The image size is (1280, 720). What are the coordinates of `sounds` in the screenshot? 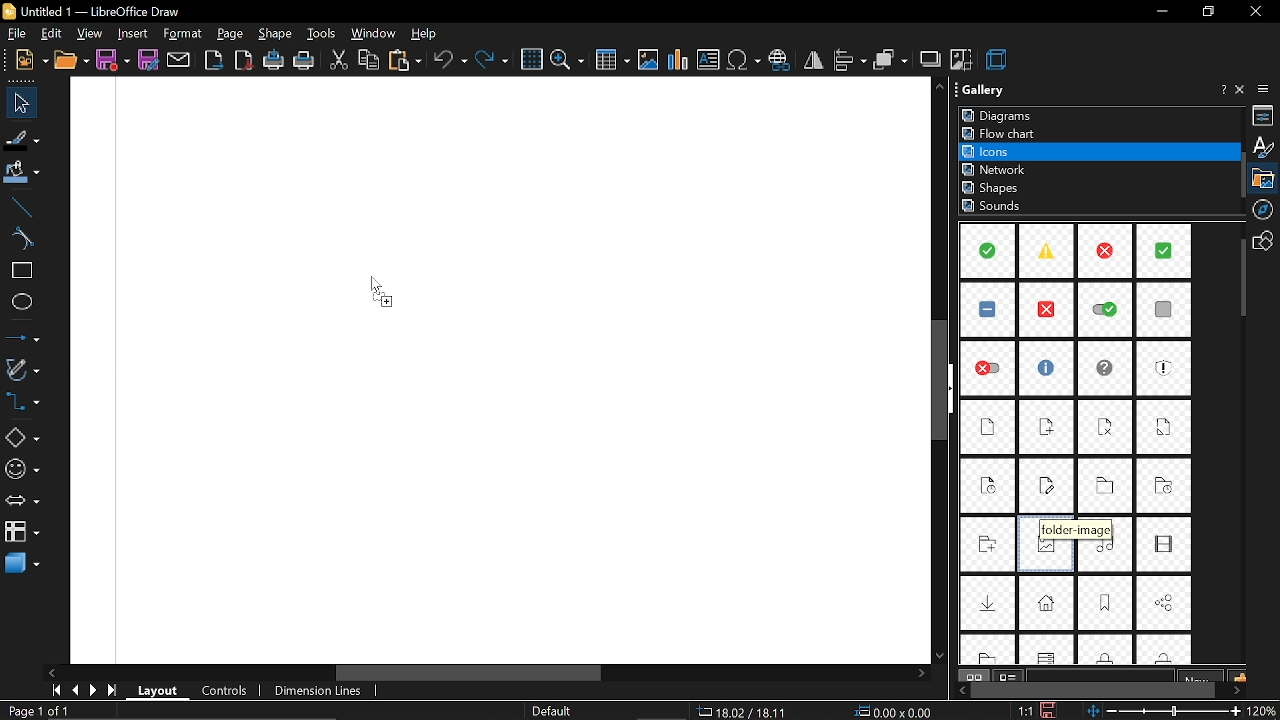 It's located at (994, 207).